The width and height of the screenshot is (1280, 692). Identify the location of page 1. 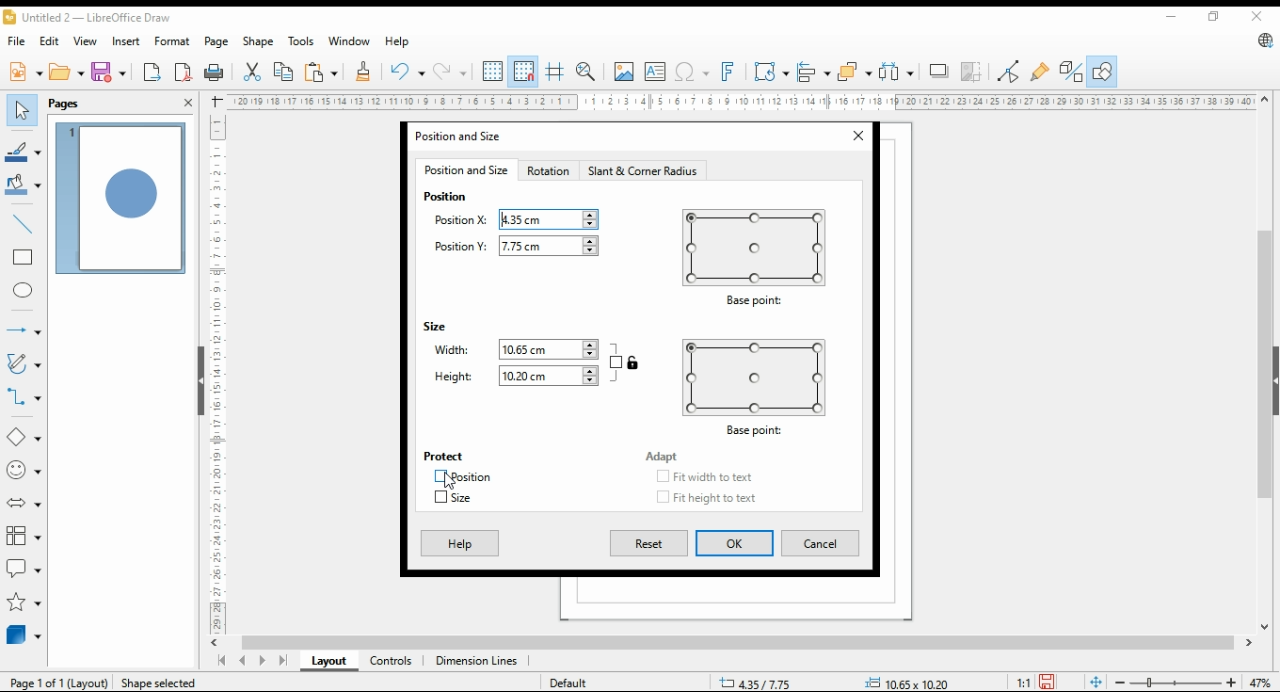
(123, 199).